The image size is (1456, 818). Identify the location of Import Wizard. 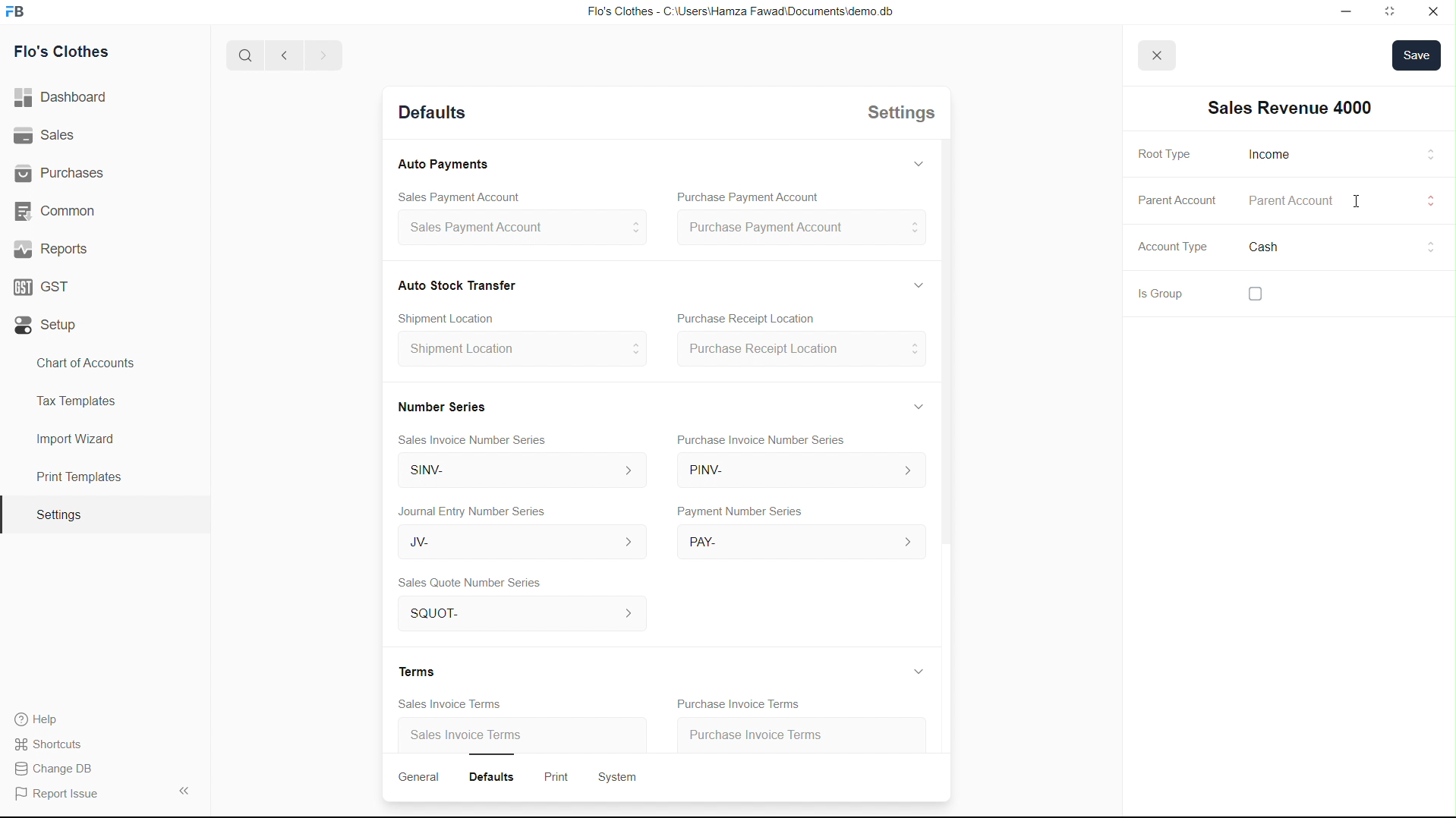
(75, 439).